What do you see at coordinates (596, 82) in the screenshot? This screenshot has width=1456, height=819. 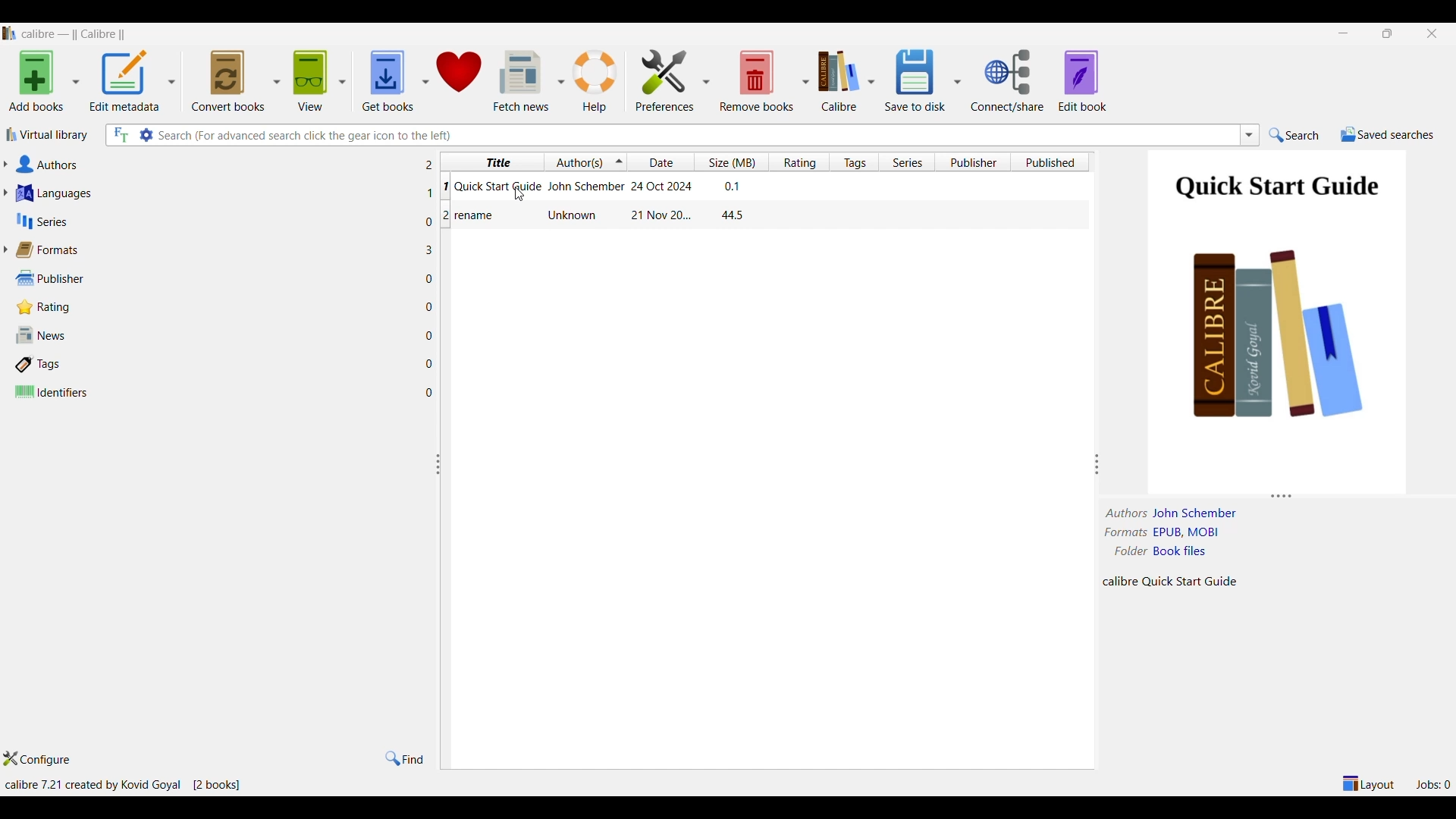 I see `Help` at bounding box center [596, 82].